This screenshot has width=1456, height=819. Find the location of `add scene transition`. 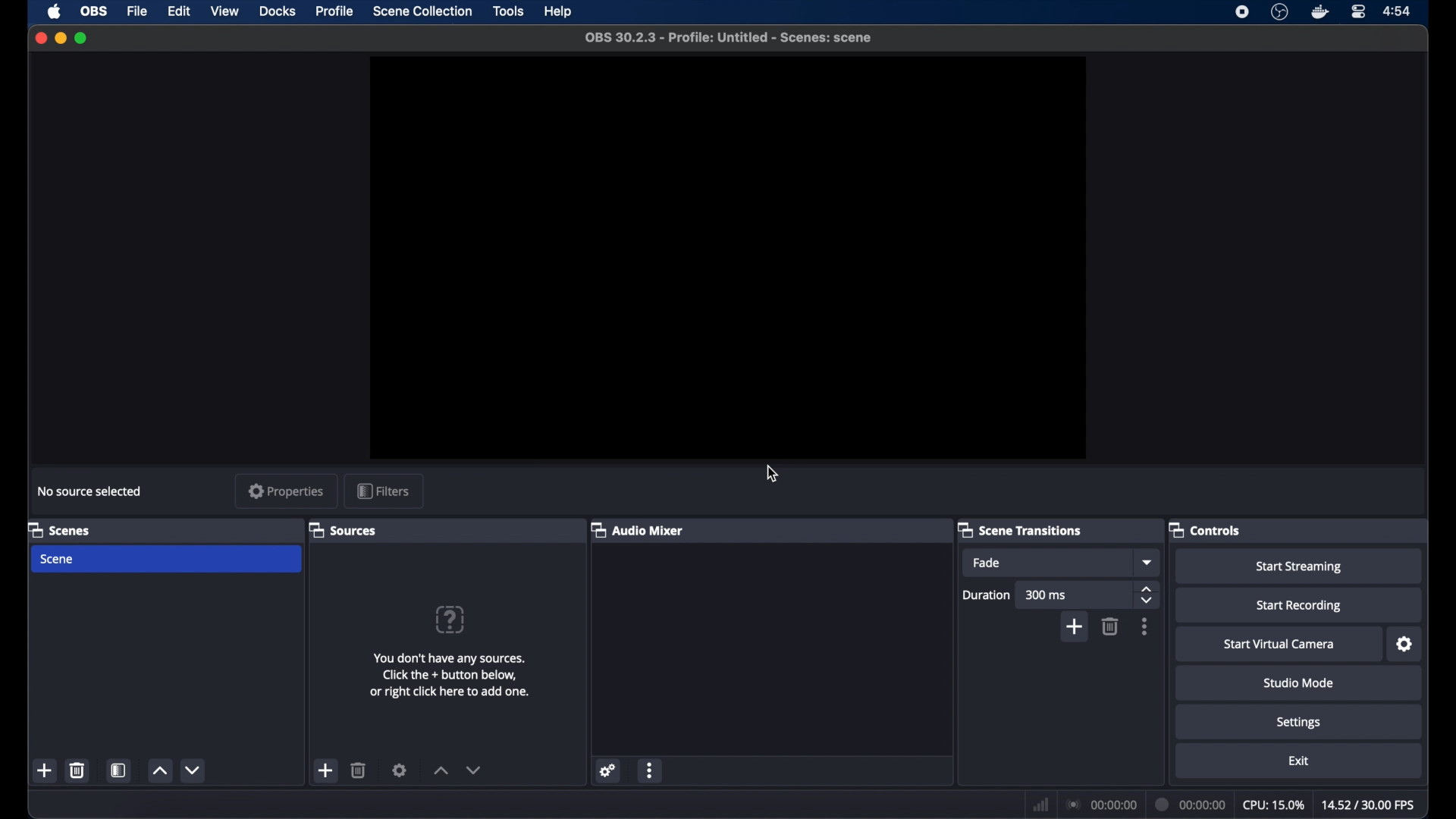

add scene transition is located at coordinates (1075, 628).